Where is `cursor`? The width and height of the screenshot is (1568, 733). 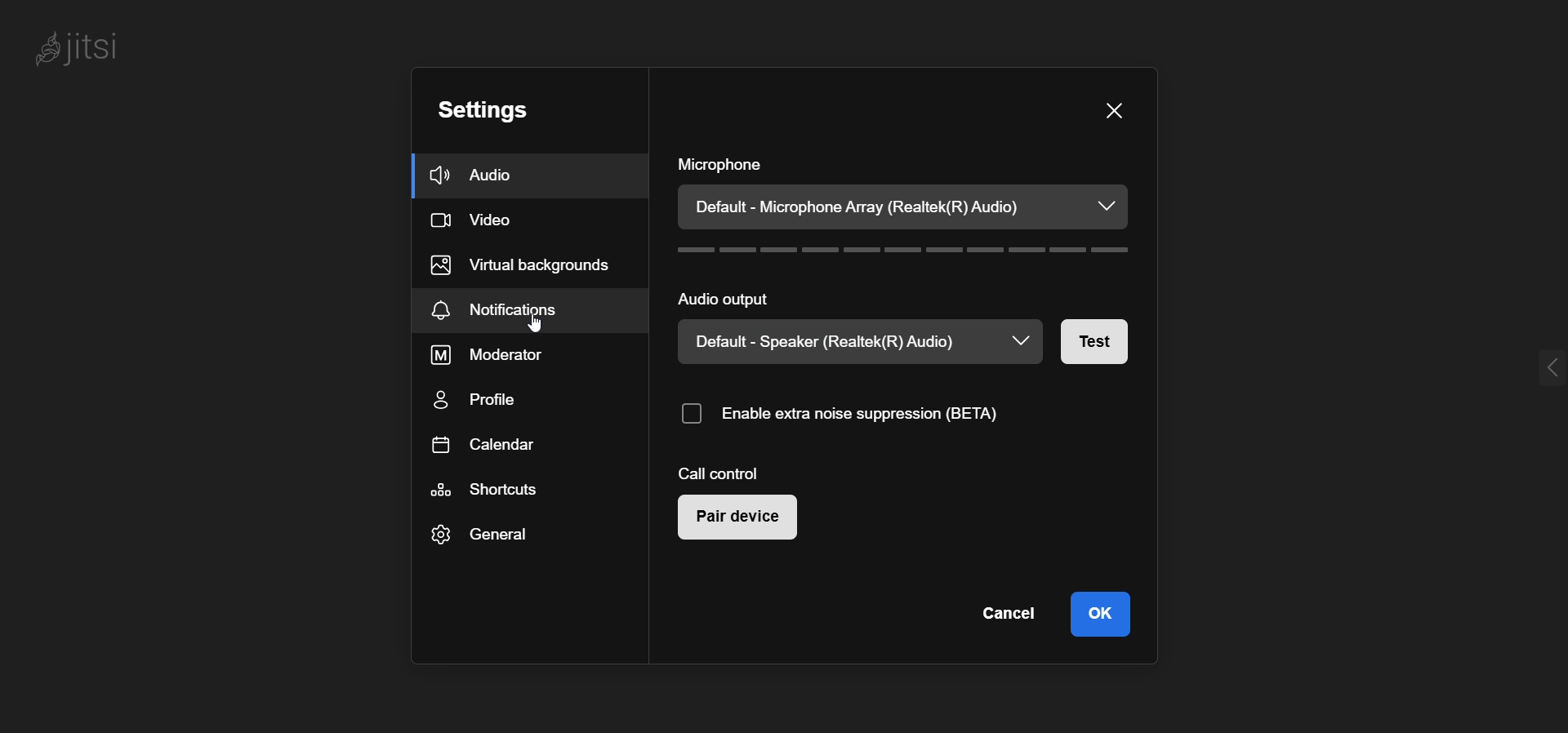
cursor is located at coordinates (539, 328).